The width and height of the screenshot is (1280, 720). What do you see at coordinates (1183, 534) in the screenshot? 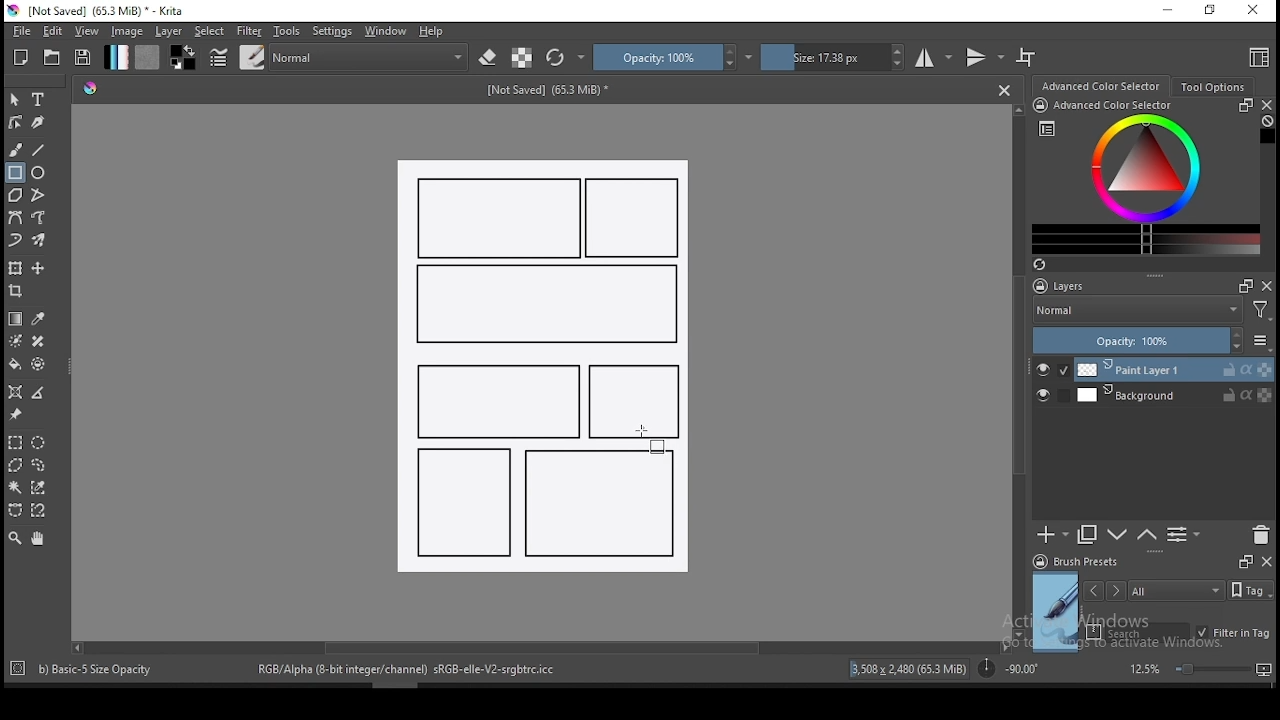
I see `view or change layer properties` at bounding box center [1183, 534].